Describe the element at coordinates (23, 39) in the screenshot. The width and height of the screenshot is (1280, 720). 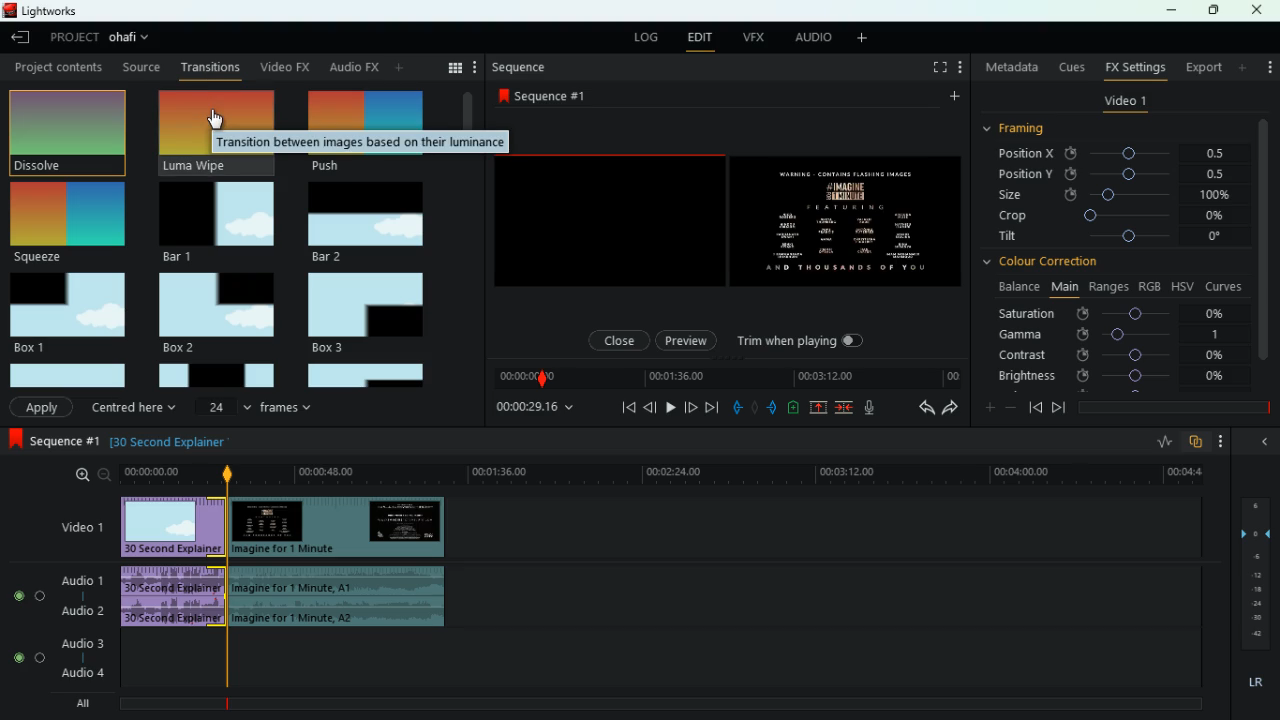
I see `back` at that location.